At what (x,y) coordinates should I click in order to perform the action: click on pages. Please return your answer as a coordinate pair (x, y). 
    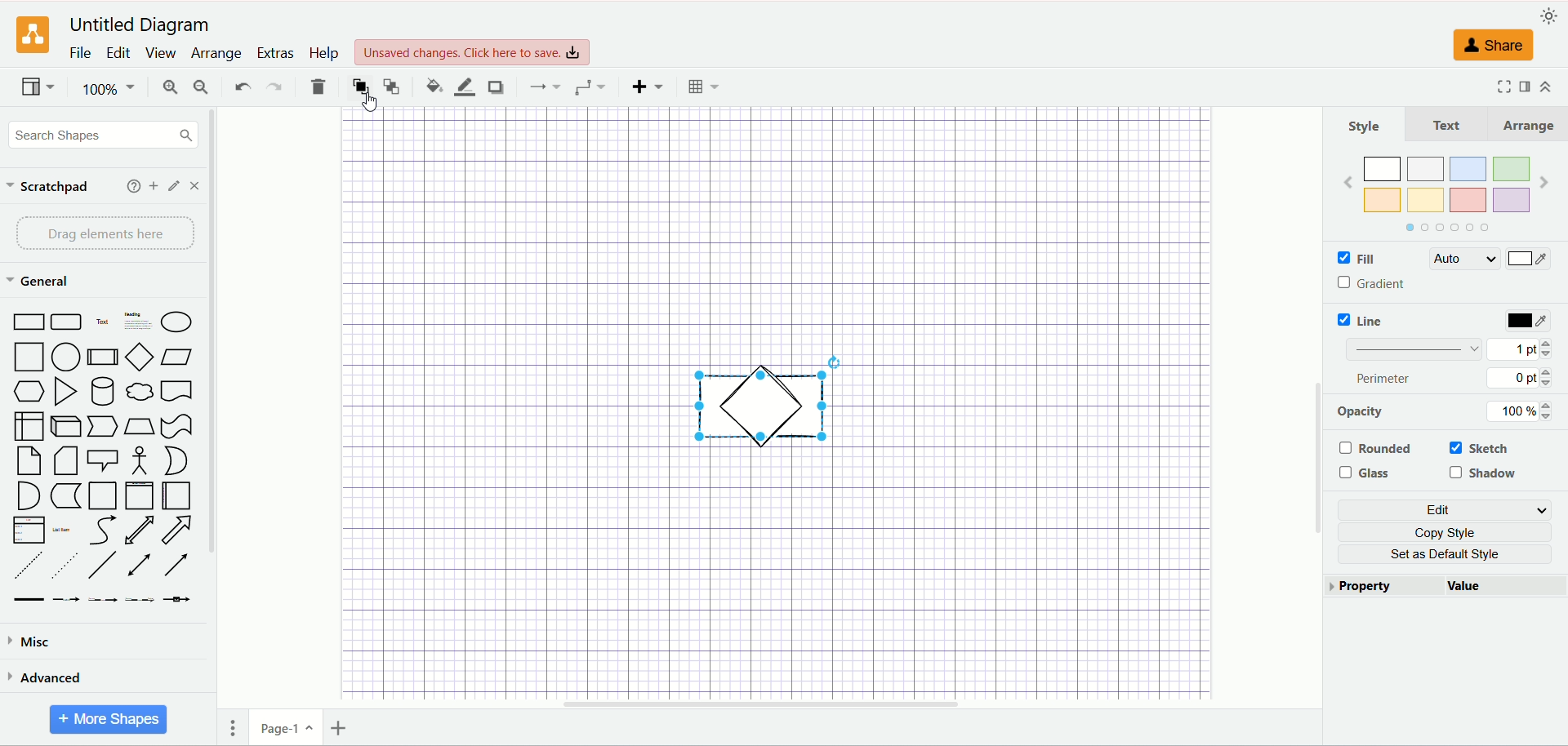
    Looking at the image, I should click on (238, 725).